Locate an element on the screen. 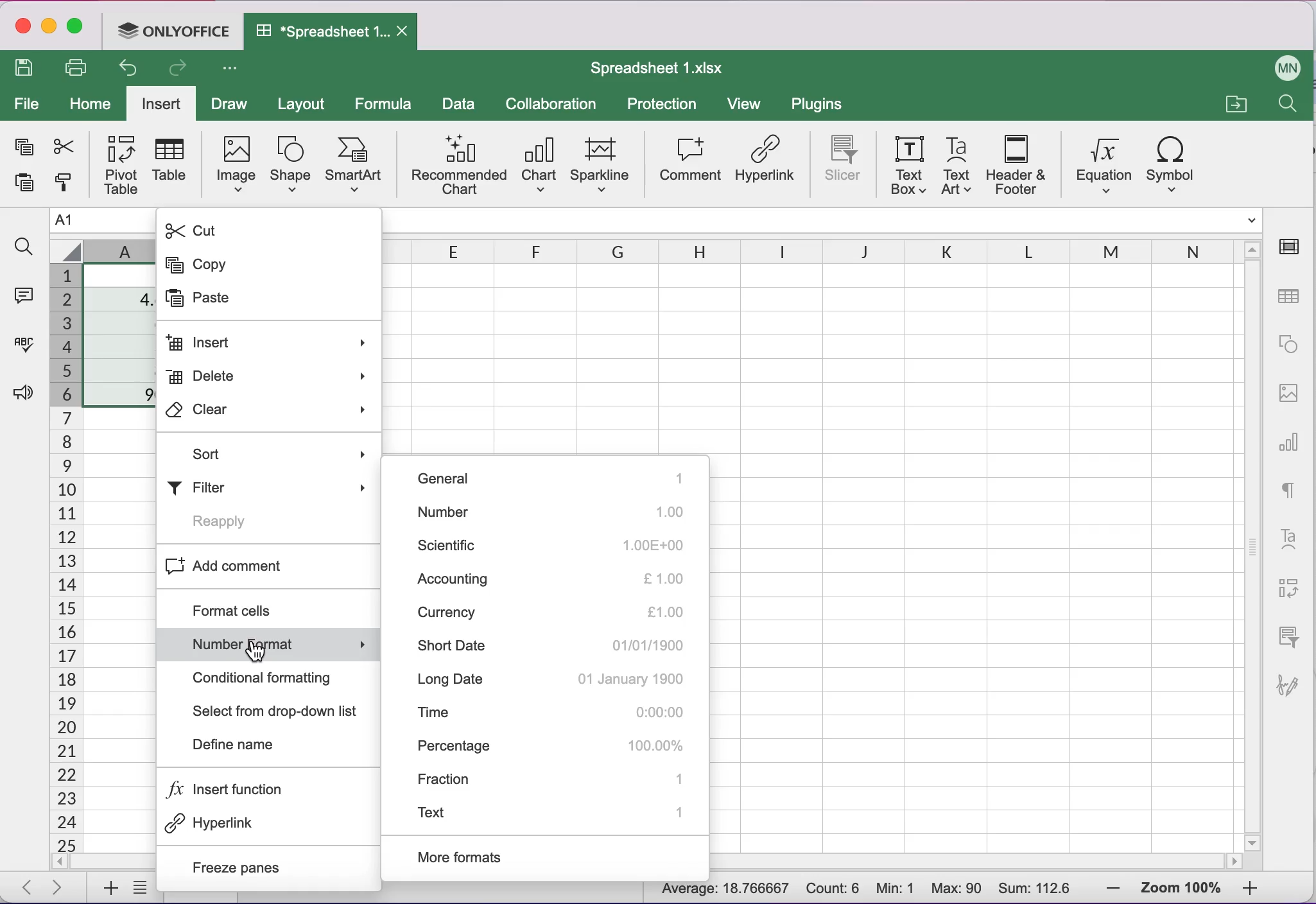  more formats is located at coordinates (488, 857).